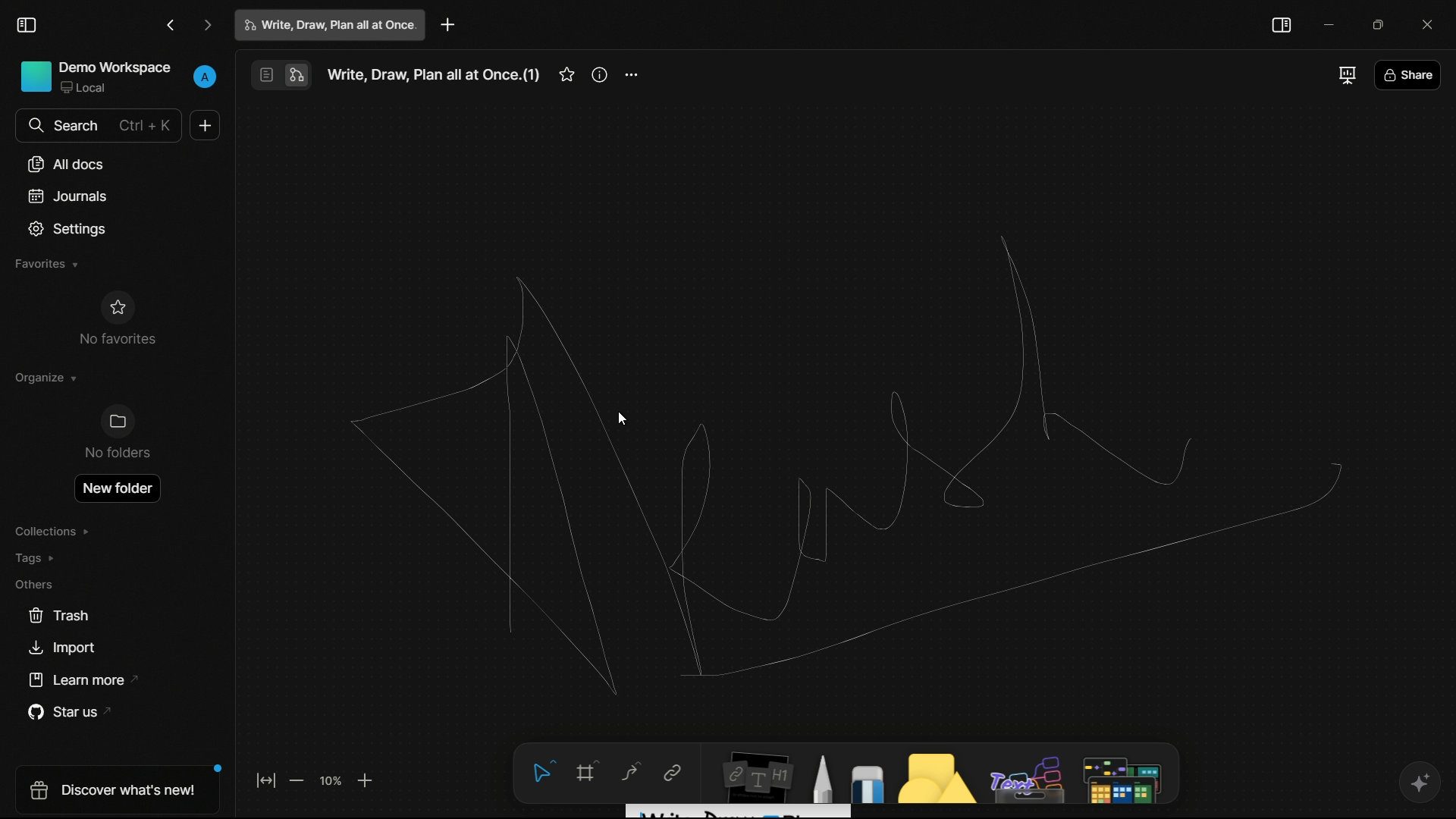 This screenshot has height=819, width=1456. What do you see at coordinates (365, 782) in the screenshot?
I see `zoom in` at bounding box center [365, 782].